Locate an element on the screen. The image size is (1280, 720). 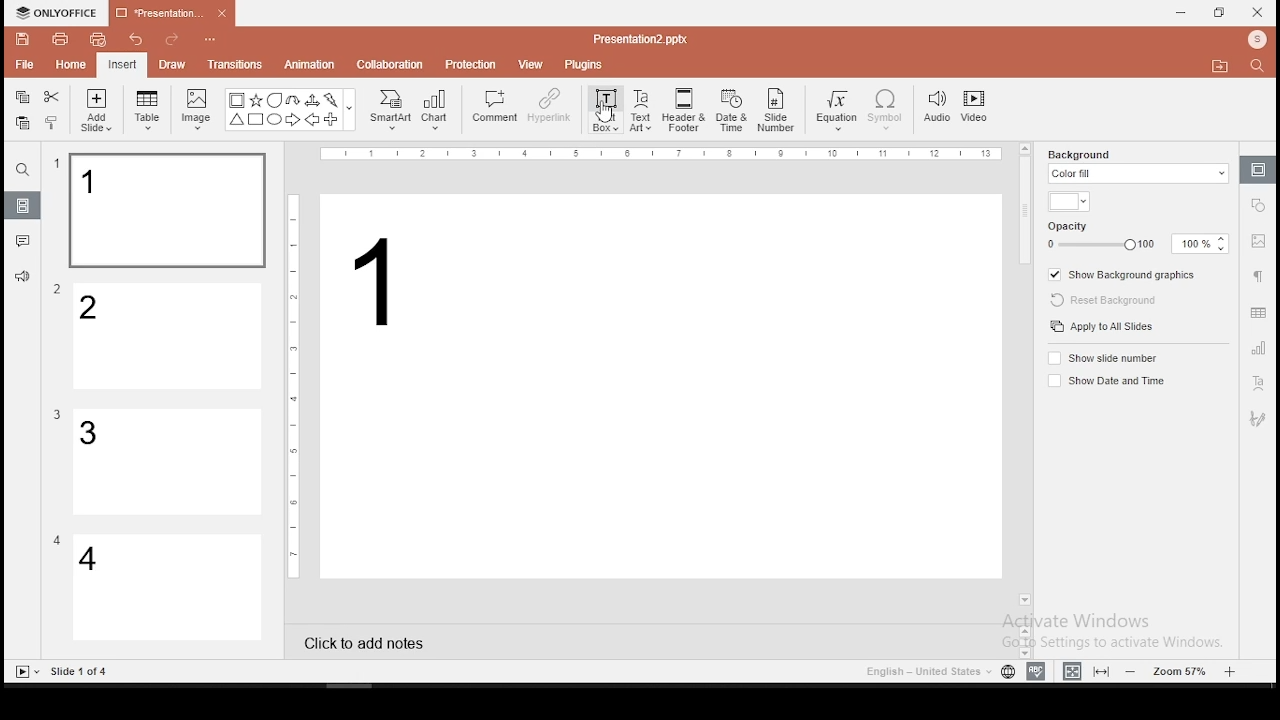
reset background is located at coordinates (1101, 301).